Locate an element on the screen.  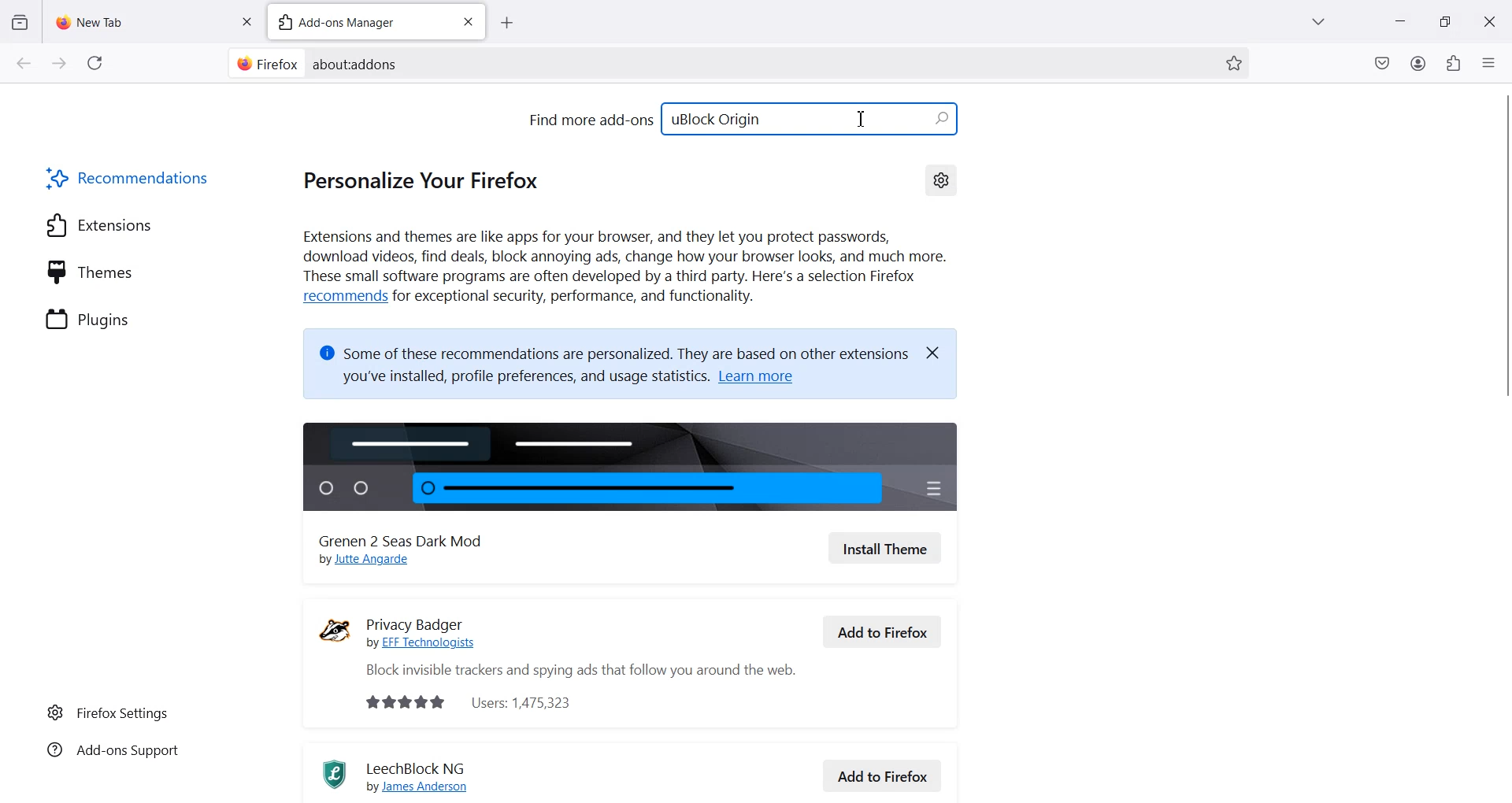
Text Cursor is located at coordinates (862, 119).